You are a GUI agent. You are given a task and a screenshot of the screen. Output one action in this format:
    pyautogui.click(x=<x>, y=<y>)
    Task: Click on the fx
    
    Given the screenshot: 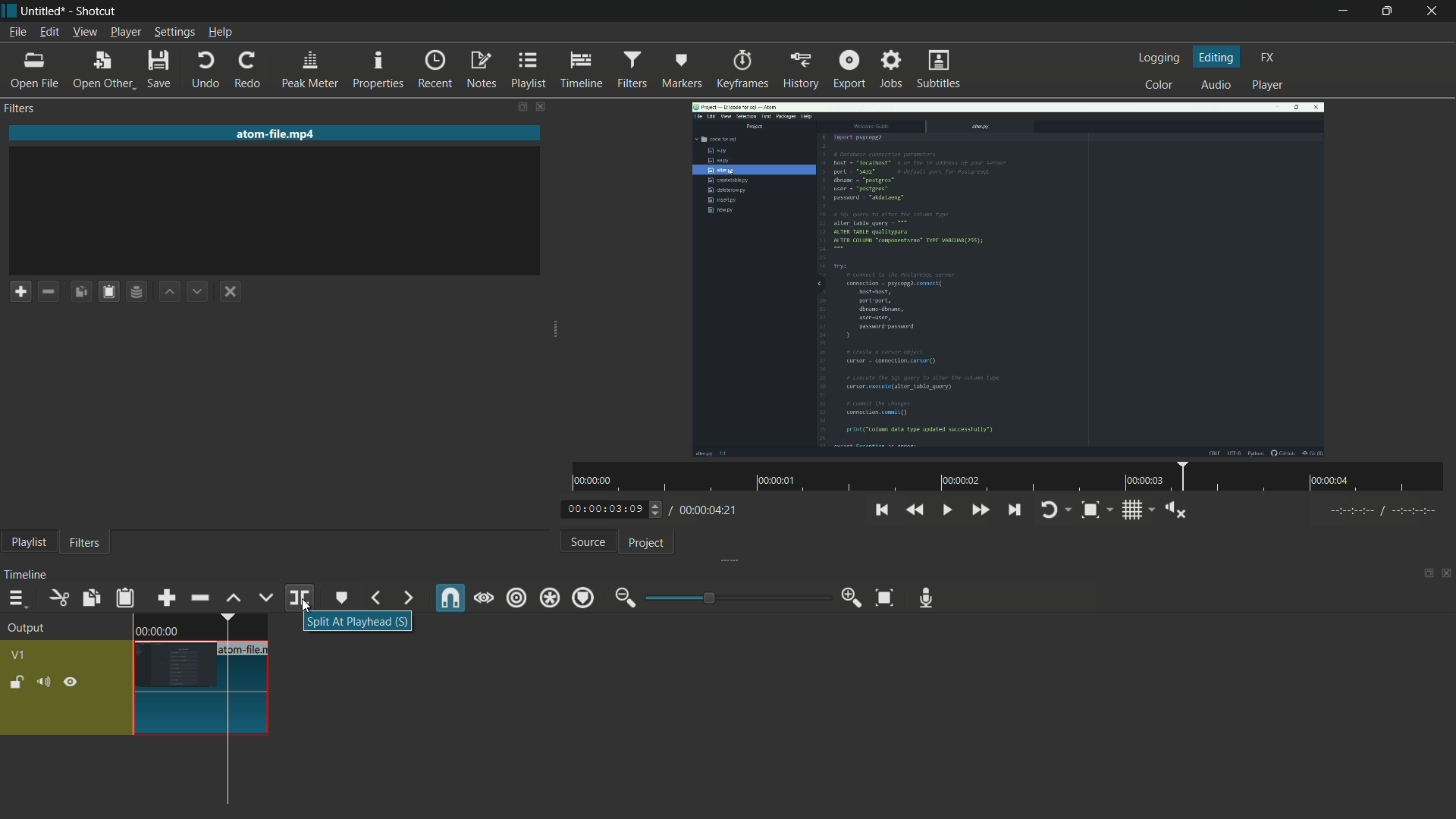 What is the action you would take?
    pyautogui.click(x=1268, y=58)
    